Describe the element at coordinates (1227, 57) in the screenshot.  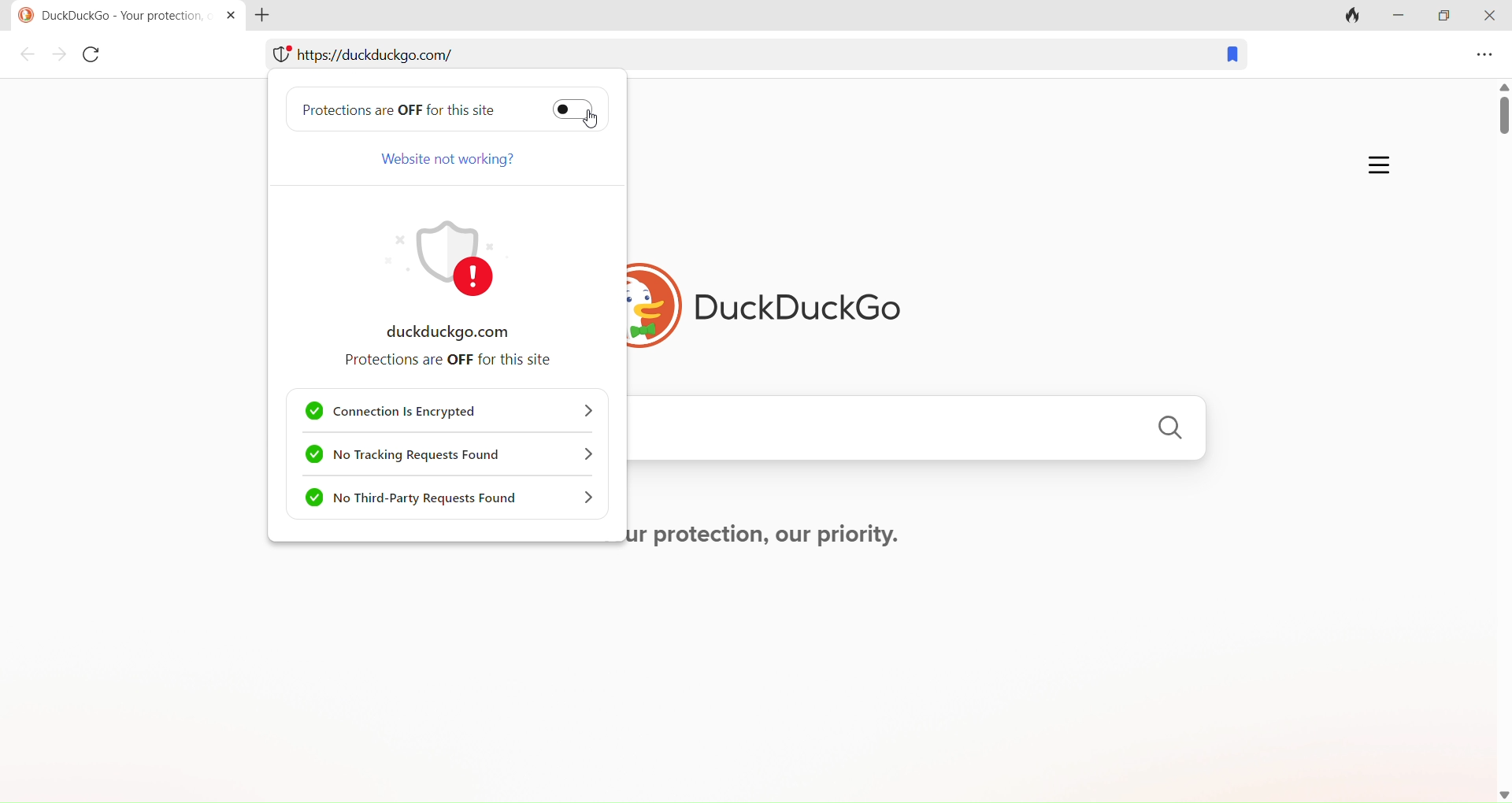
I see `bookmark this tab` at that location.